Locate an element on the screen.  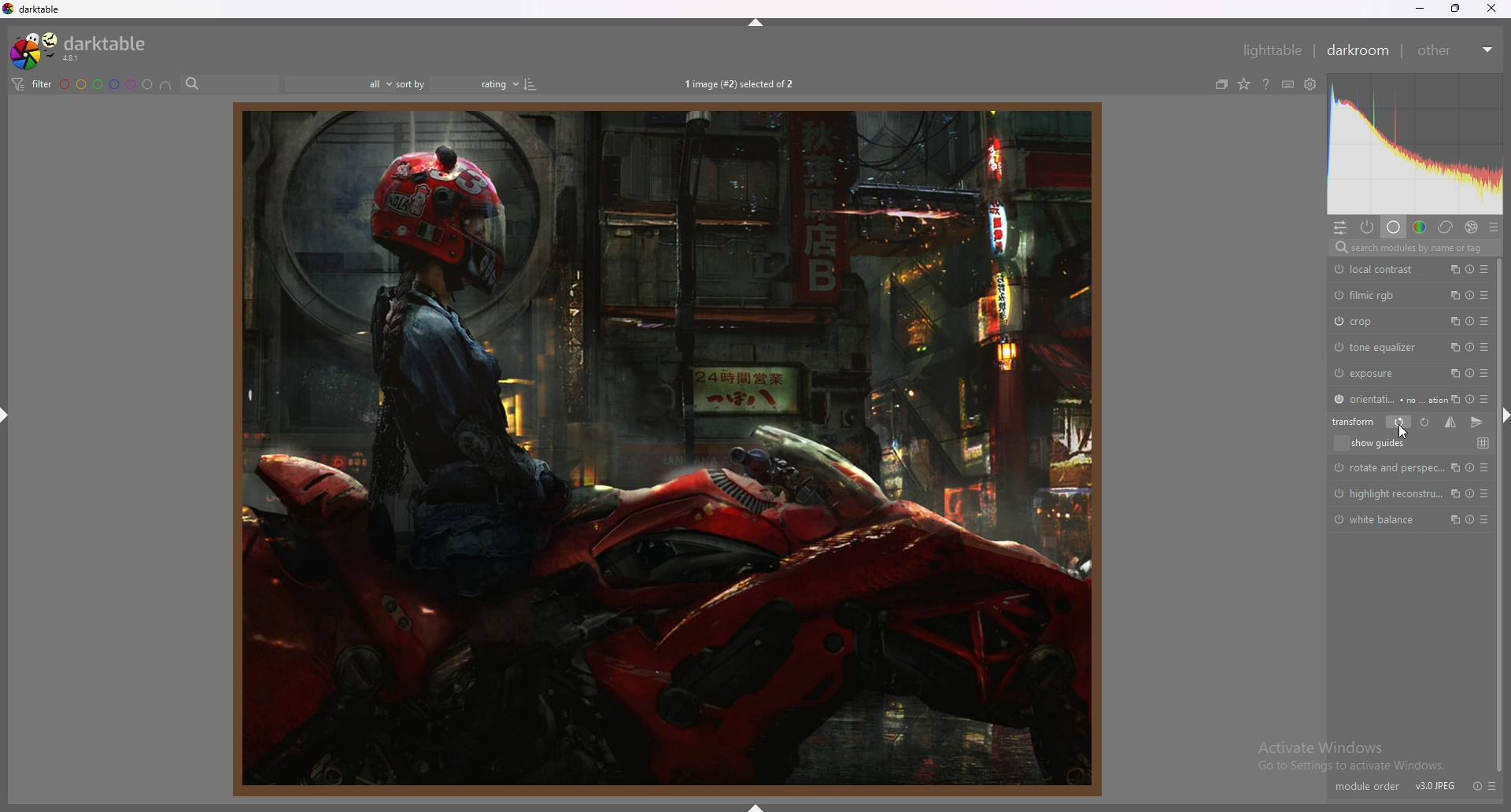
show active modules is located at coordinates (1368, 227).